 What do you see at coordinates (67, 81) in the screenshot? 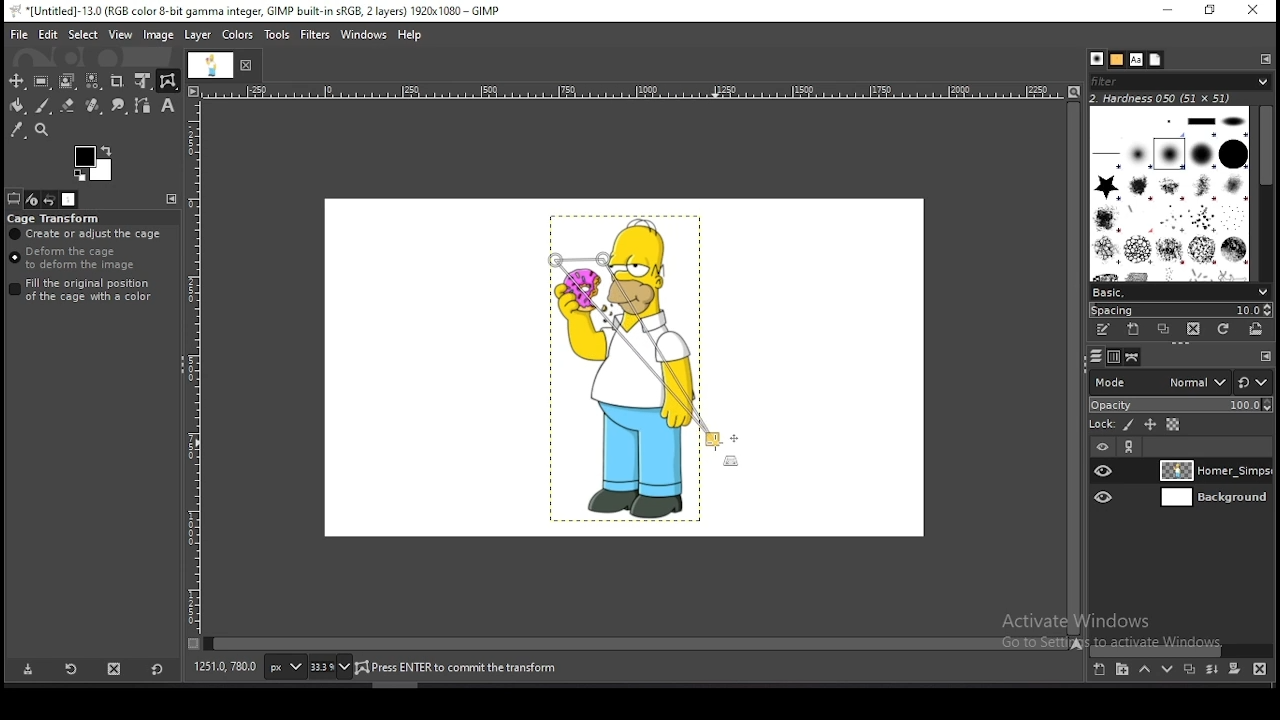
I see `foreground select tool` at bounding box center [67, 81].